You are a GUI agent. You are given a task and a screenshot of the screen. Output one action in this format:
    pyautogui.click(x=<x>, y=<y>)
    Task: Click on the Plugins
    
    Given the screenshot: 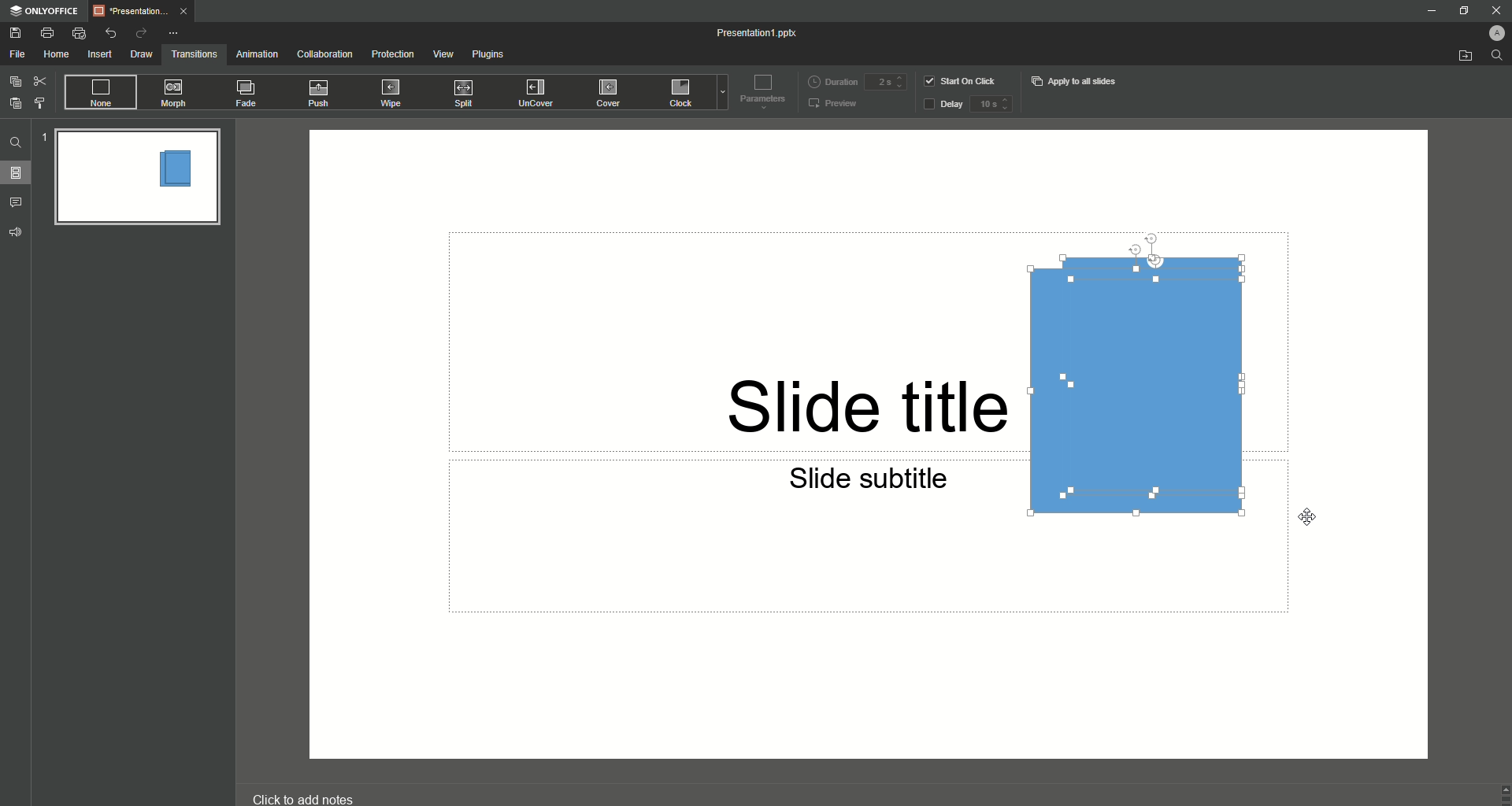 What is the action you would take?
    pyautogui.click(x=491, y=57)
    